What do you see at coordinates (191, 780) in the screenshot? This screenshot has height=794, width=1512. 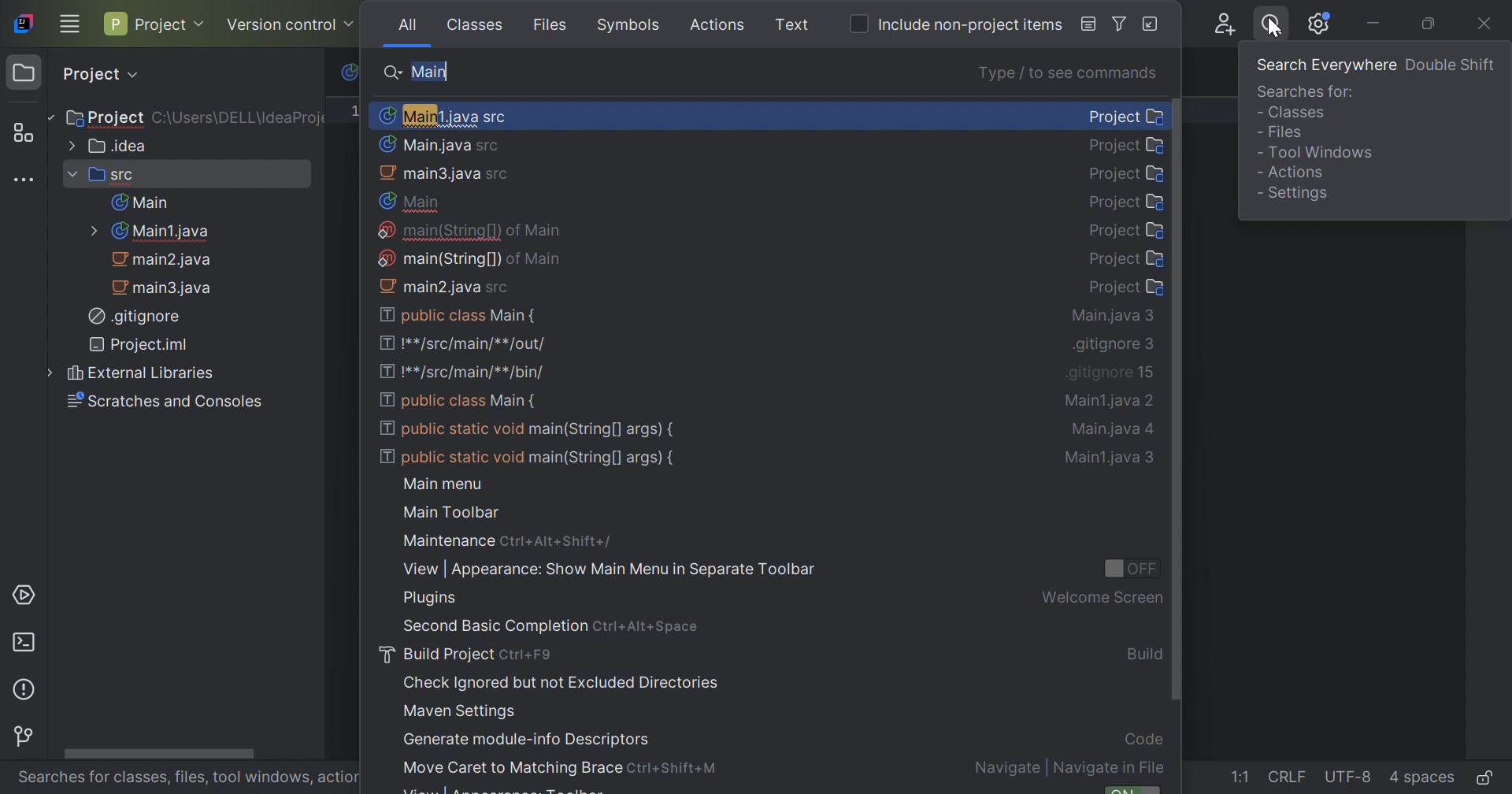 I see `Searches for classes file, tool windows, action and preferences` at bounding box center [191, 780].